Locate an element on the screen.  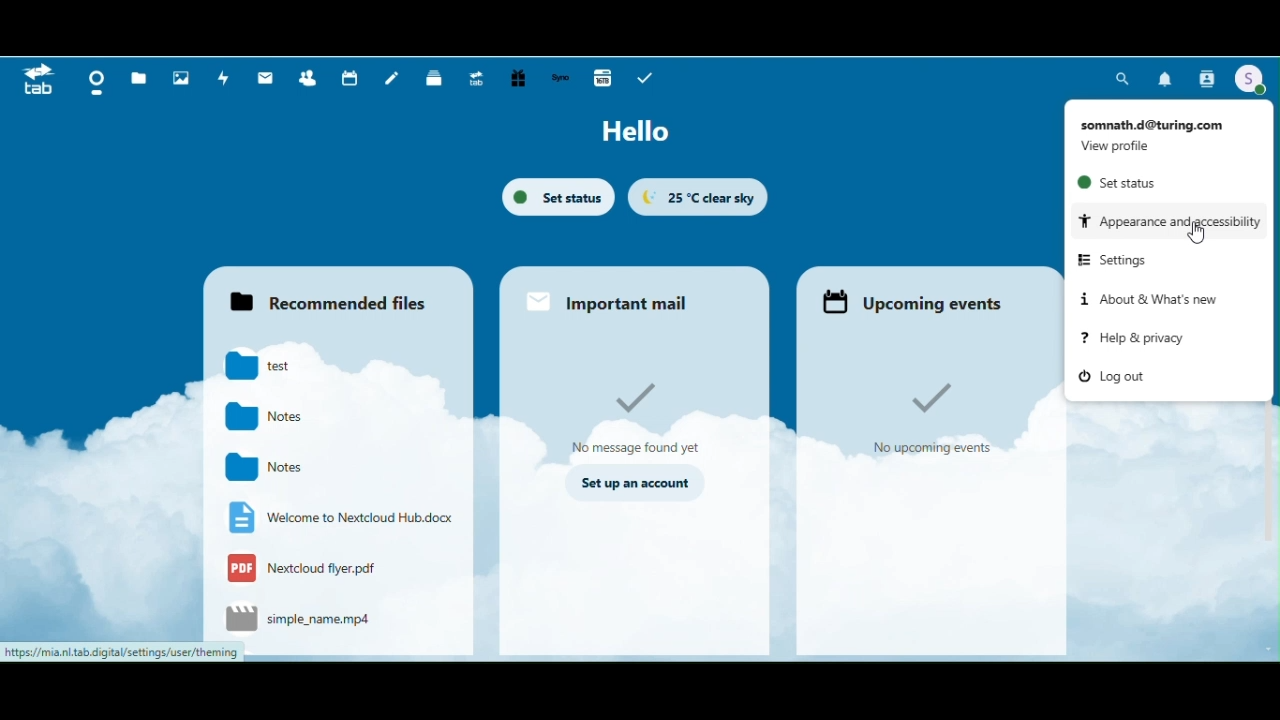
Mail is located at coordinates (264, 79).